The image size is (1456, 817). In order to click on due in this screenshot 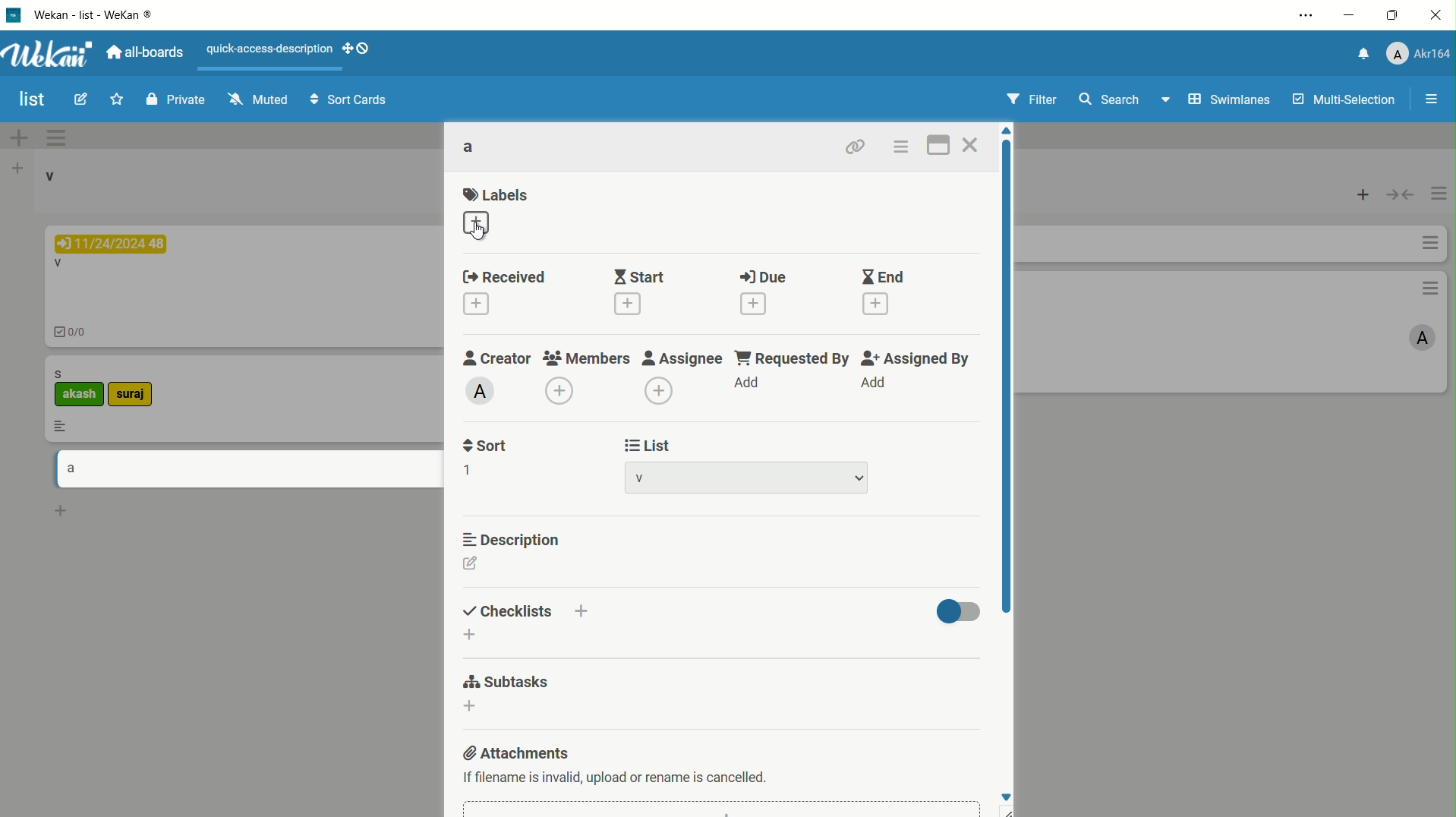, I will do `click(764, 277)`.